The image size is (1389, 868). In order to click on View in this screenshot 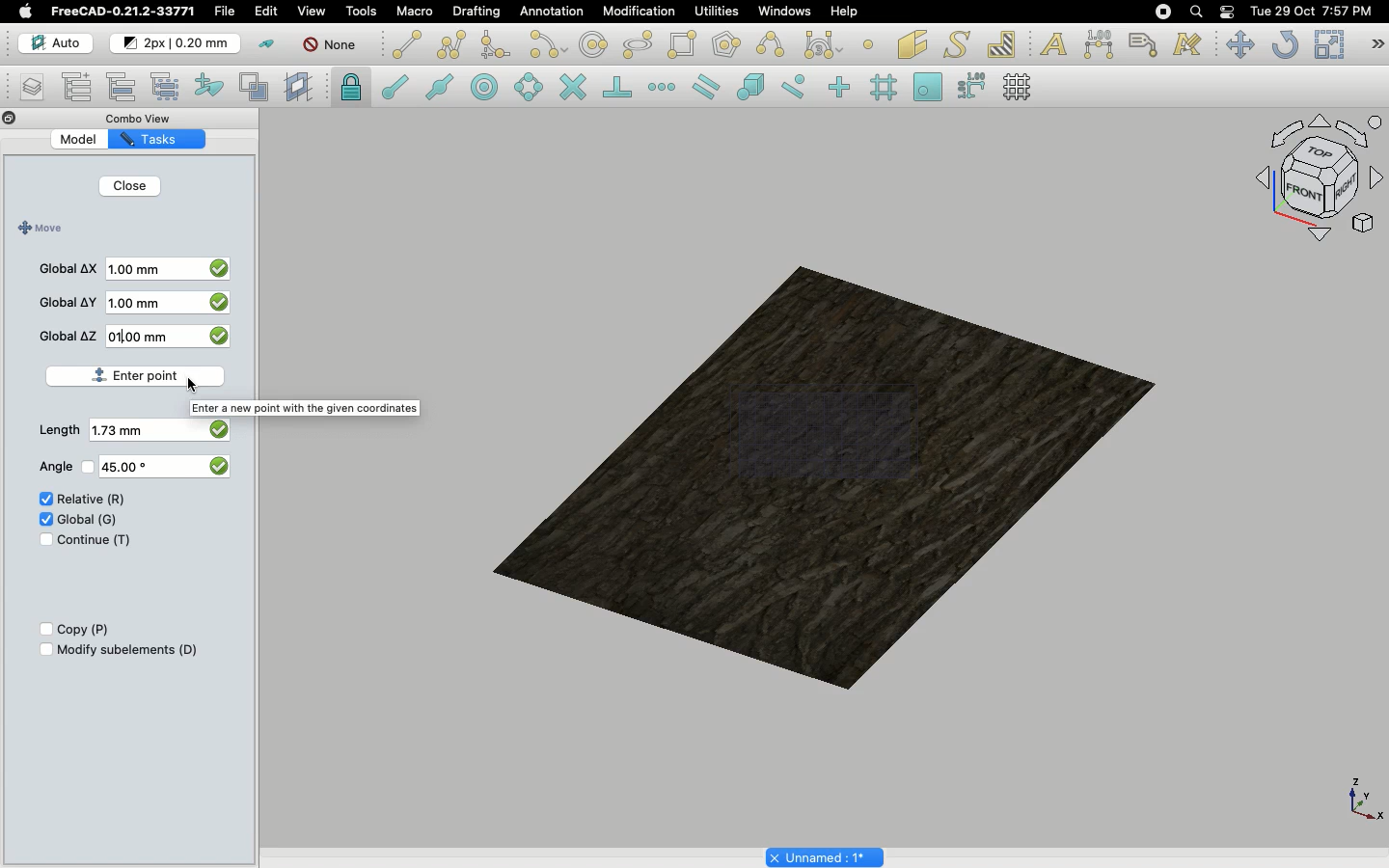, I will do `click(312, 10)`.